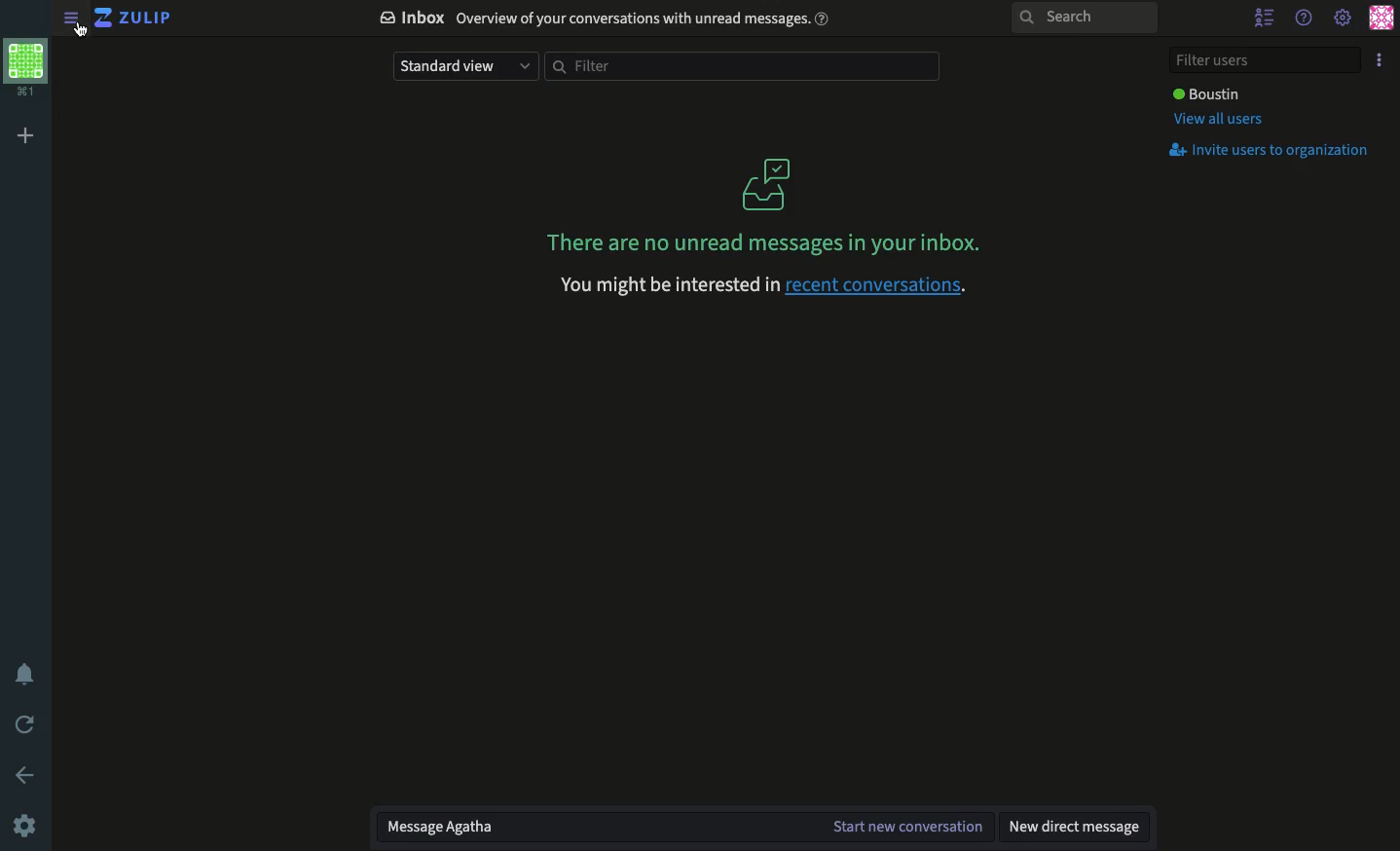 This screenshot has height=851, width=1400. What do you see at coordinates (25, 67) in the screenshot?
I see `View profile` at bounding box center [25, 67].